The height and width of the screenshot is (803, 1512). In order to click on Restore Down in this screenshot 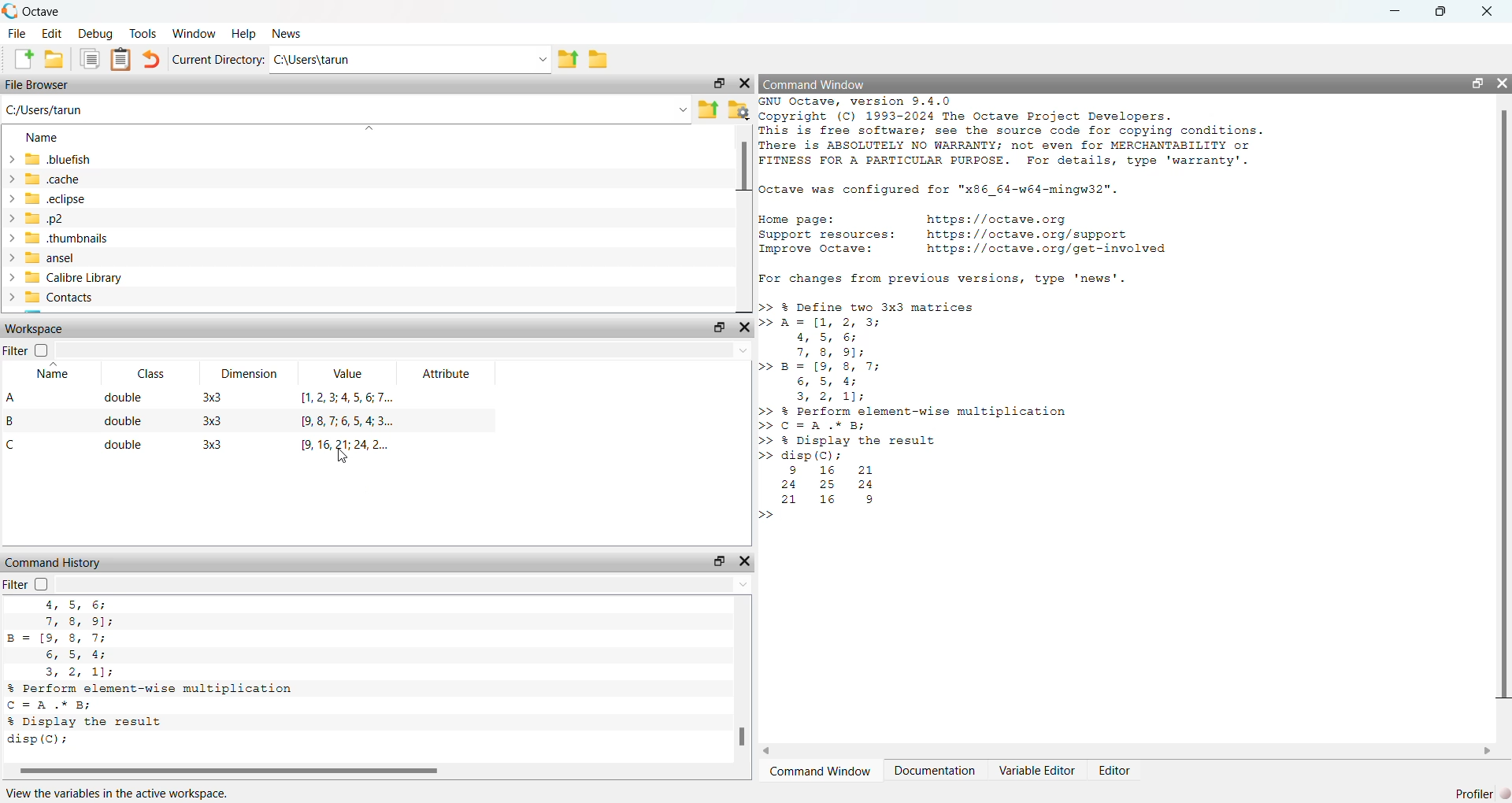, I will do `click(719, 83)`.